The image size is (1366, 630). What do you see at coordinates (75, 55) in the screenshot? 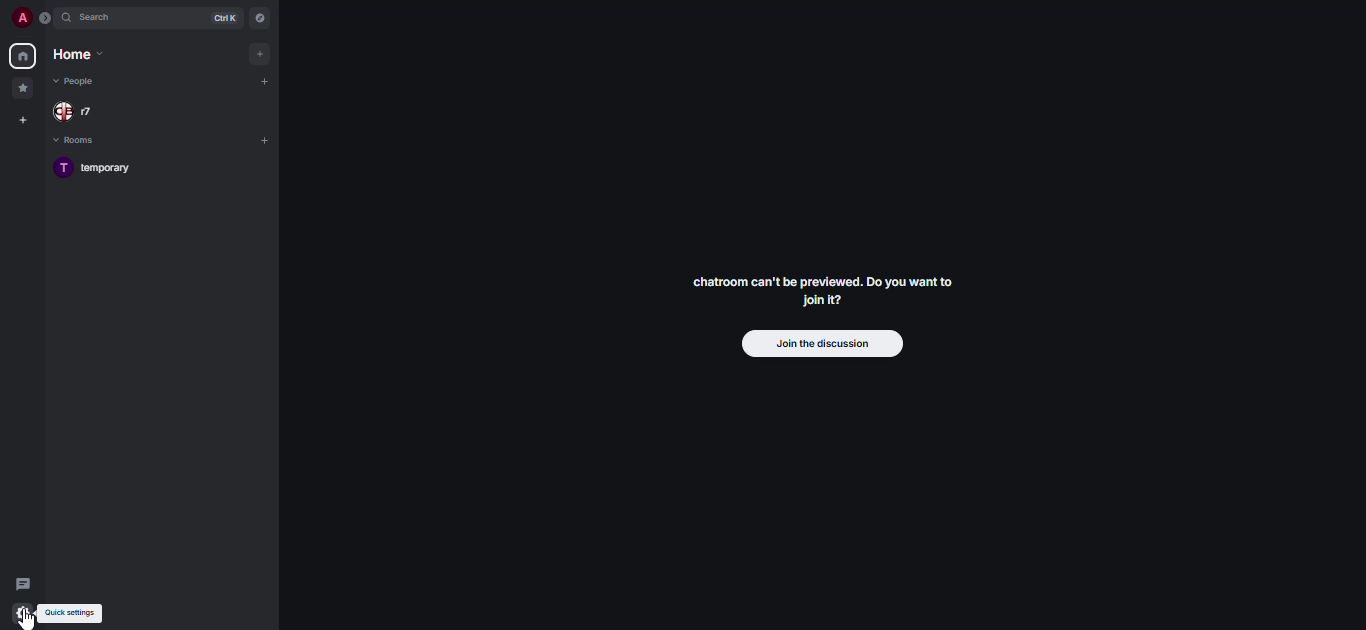
I see `home` at bounding box center [75, 55].